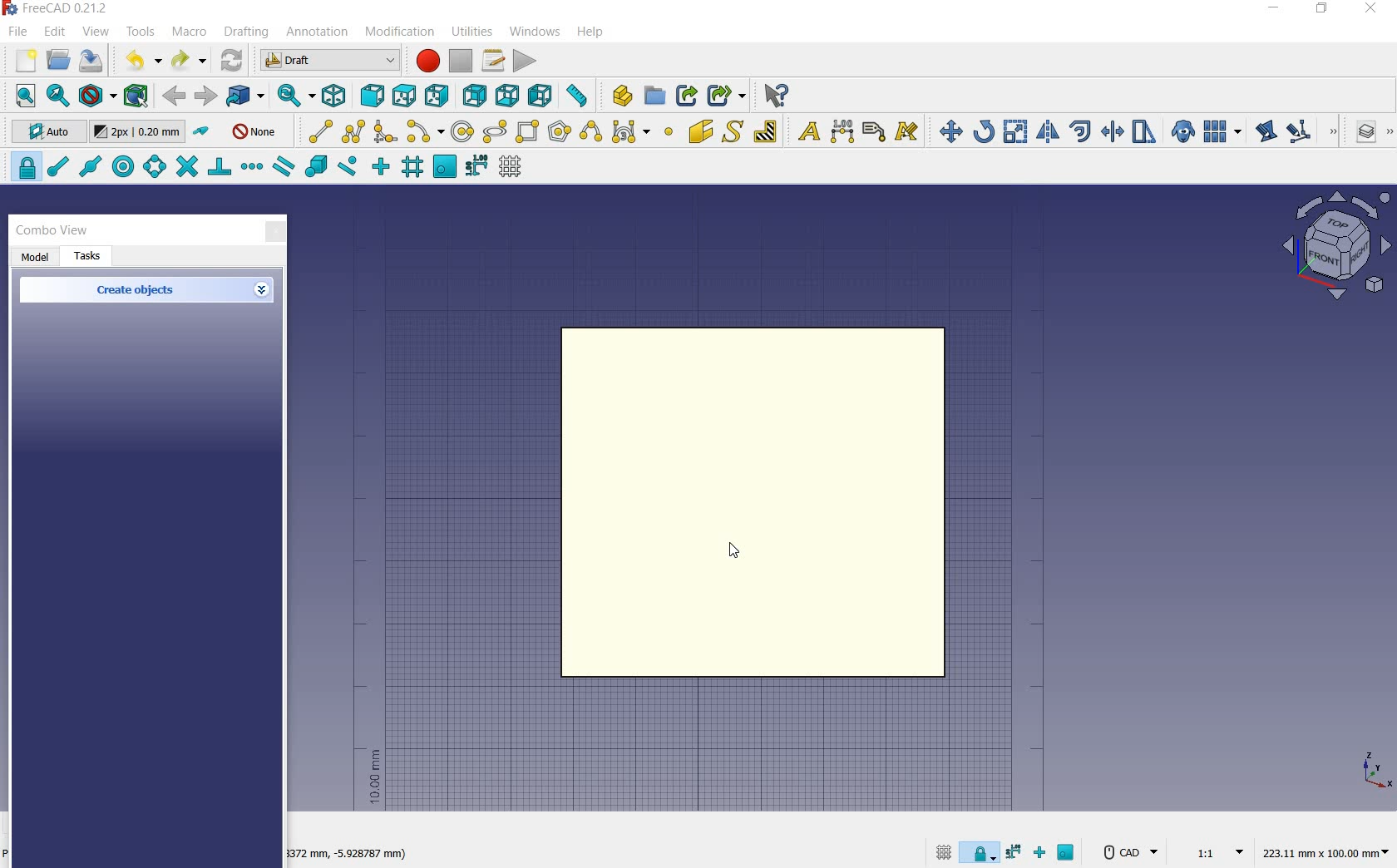  I want to click on snap intersection, so click(185, 167).